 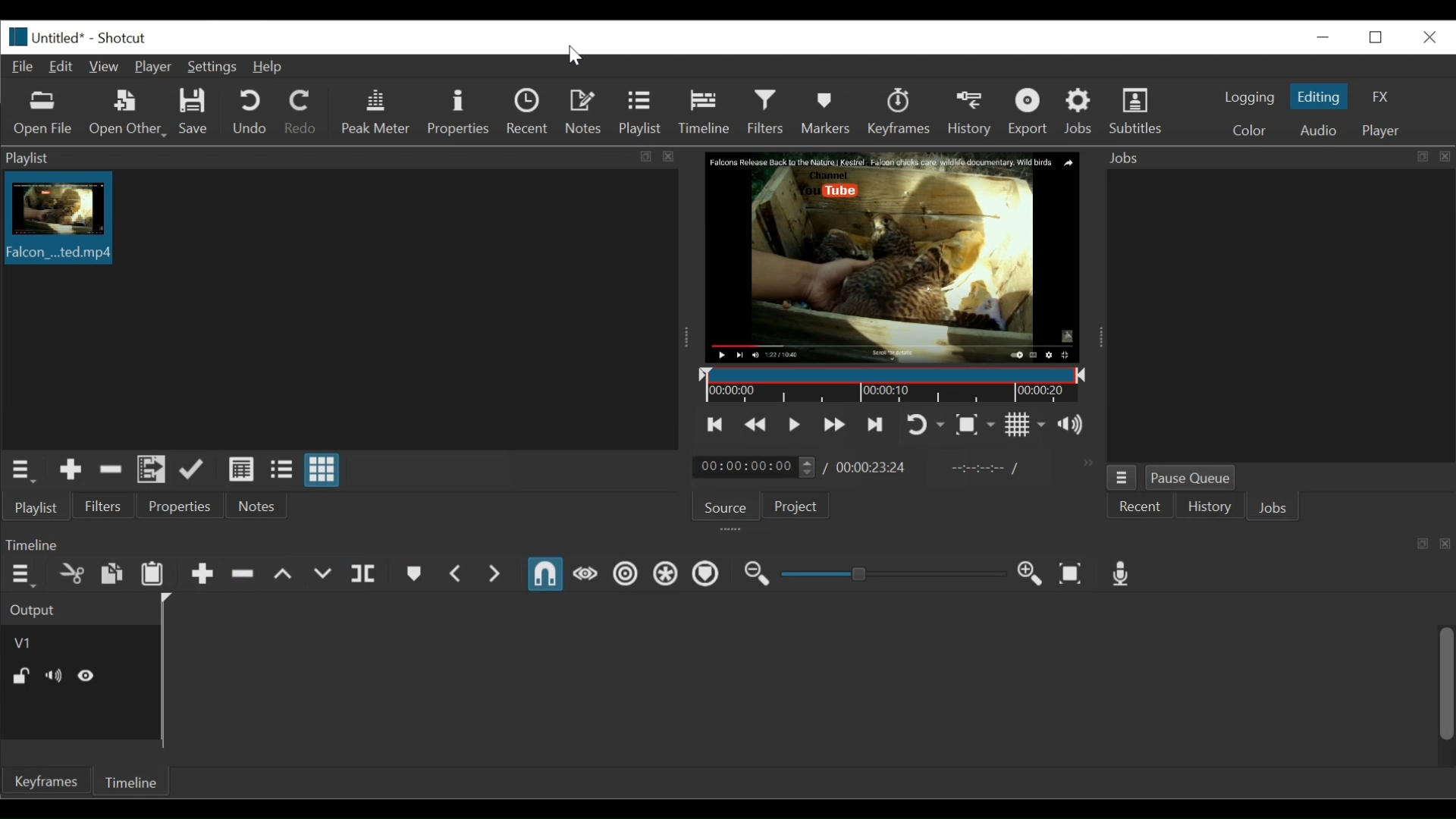 What do you see at coordinates (755, 422) in the screenshot?
I see `Play quickly backward` at bounding box center [755, 422].